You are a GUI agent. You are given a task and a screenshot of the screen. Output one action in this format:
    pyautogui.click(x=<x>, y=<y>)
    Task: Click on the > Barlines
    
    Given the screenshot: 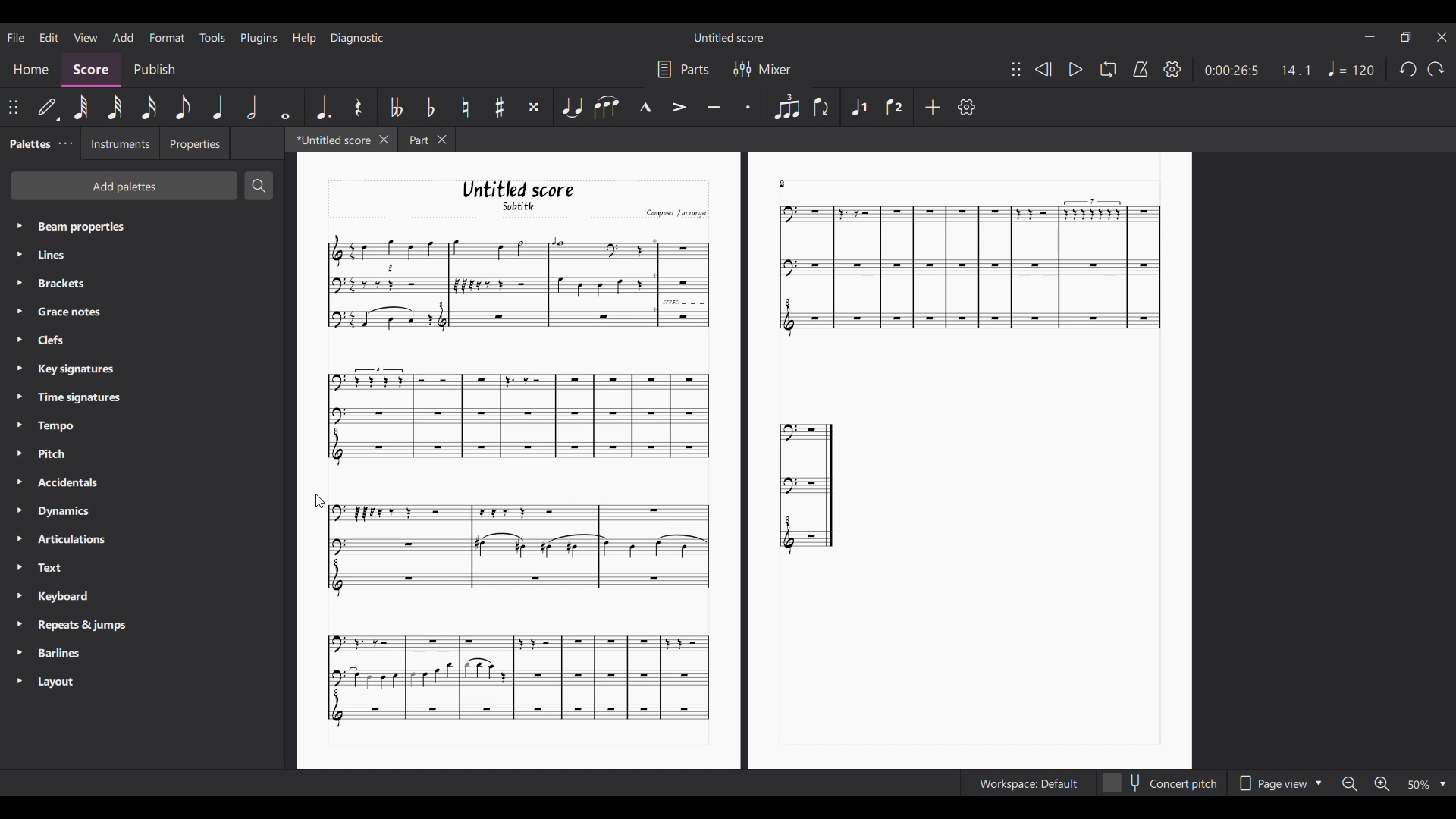 What is the action you would take?
    pyautogui.click(x=57, y=654)
    